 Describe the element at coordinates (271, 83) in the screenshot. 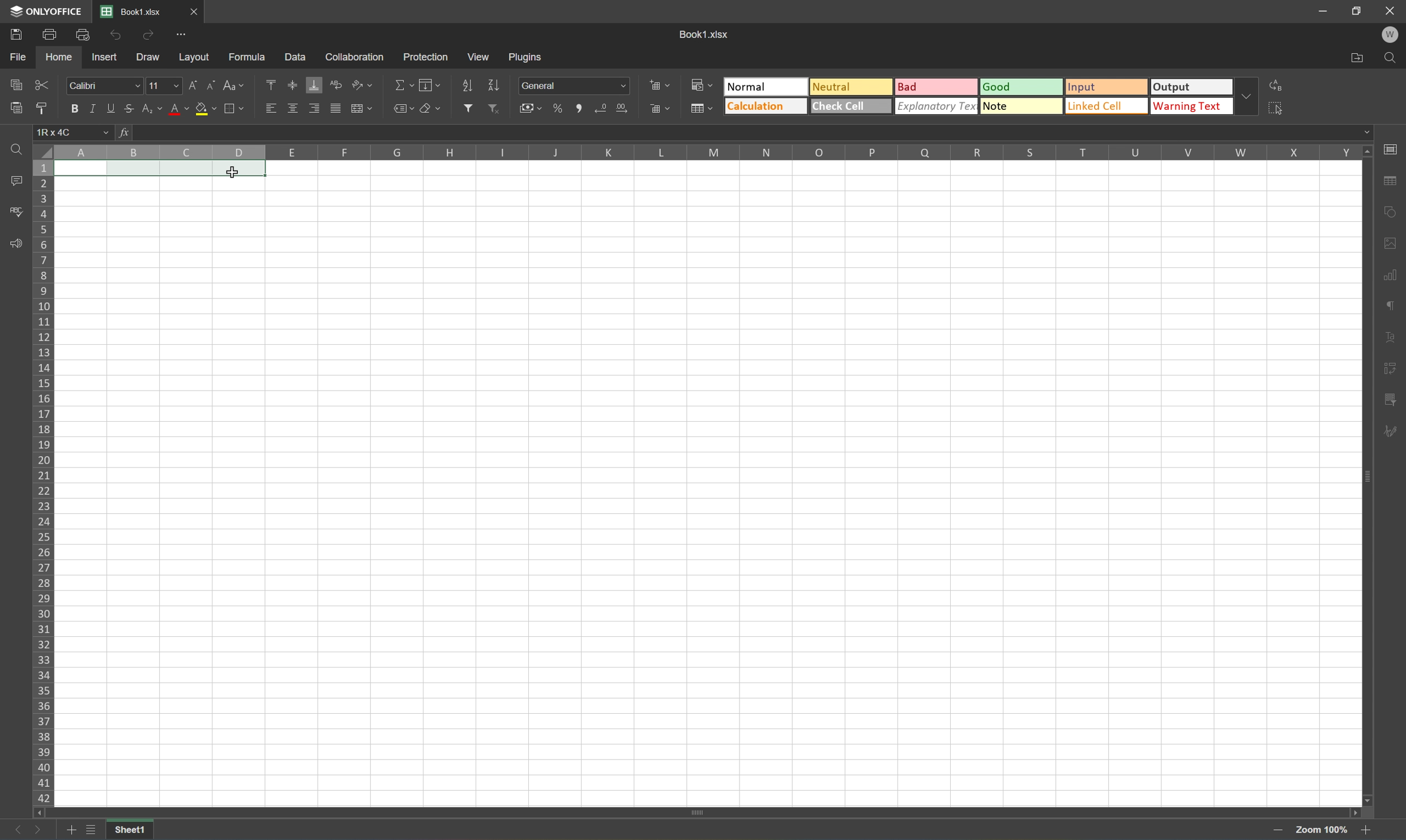

I see `Align top` at that location.